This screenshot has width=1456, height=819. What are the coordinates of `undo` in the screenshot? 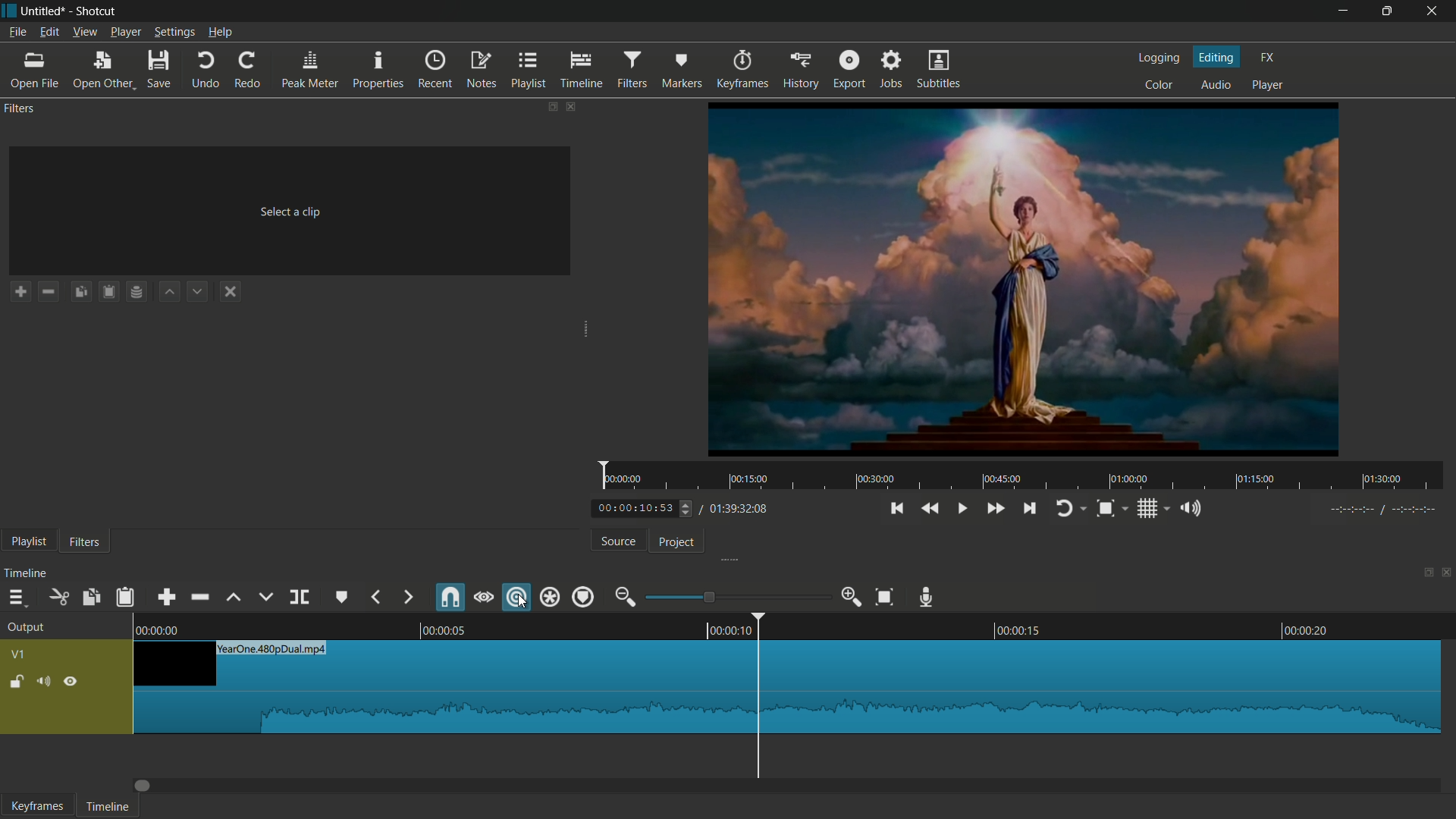 It's located at (206, 70).